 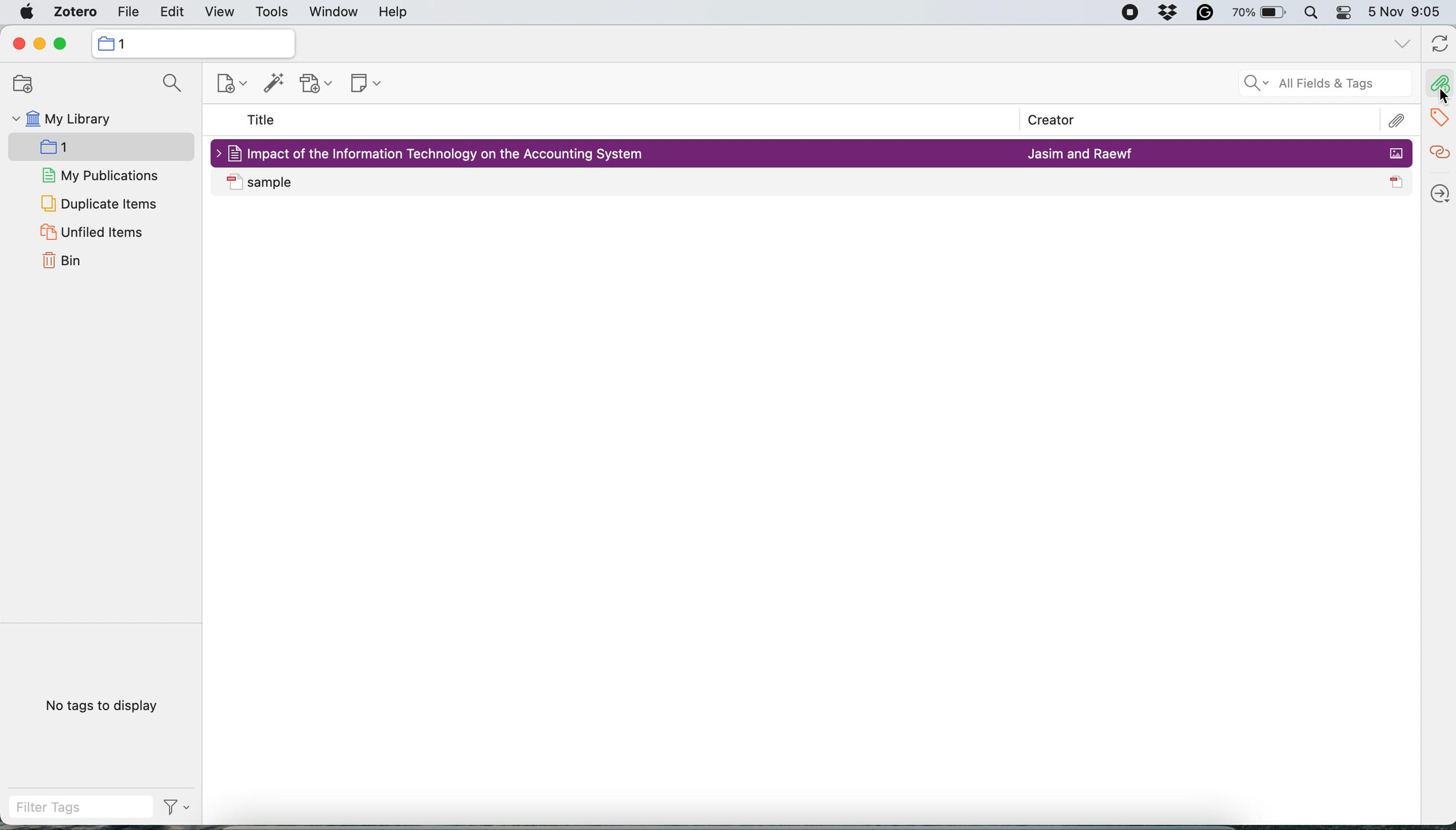 What do you see at coordinates (18, 44) in the screenshot?
I see `close` at bounding box center [18, 44].